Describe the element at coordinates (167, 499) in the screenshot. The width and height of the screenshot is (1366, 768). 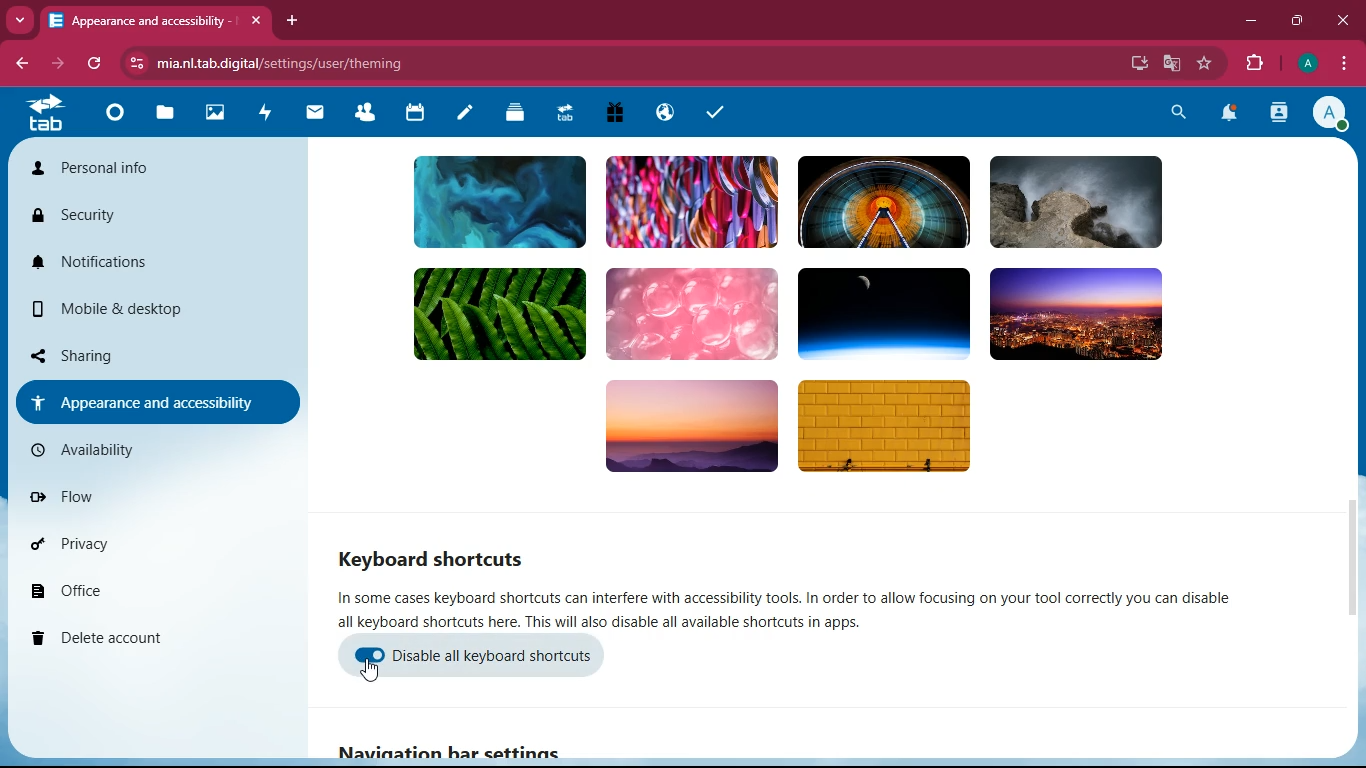
I see `flow` at that location.